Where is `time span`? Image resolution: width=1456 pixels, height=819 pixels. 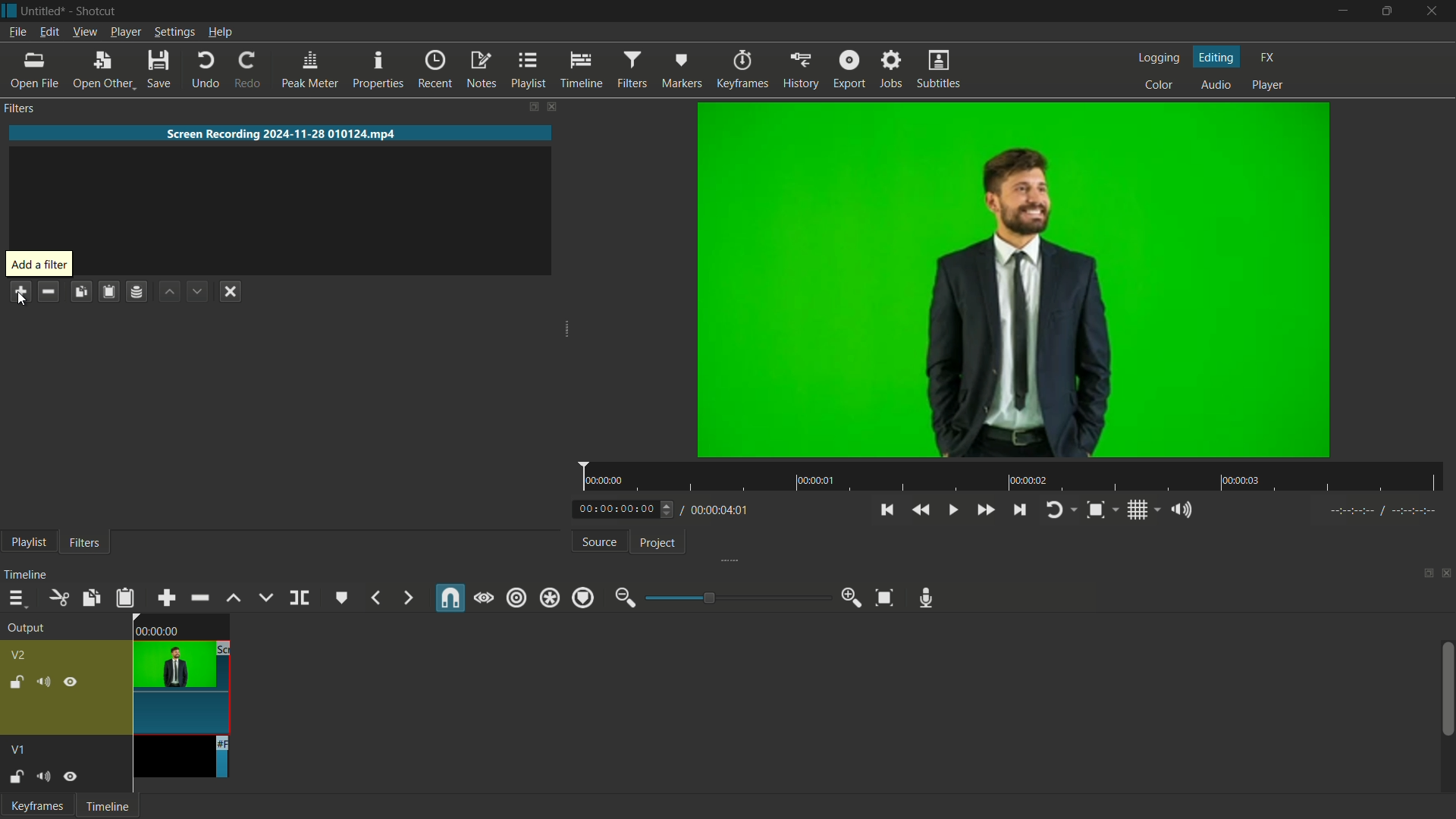
time span is located at coordinates (1012, 476).